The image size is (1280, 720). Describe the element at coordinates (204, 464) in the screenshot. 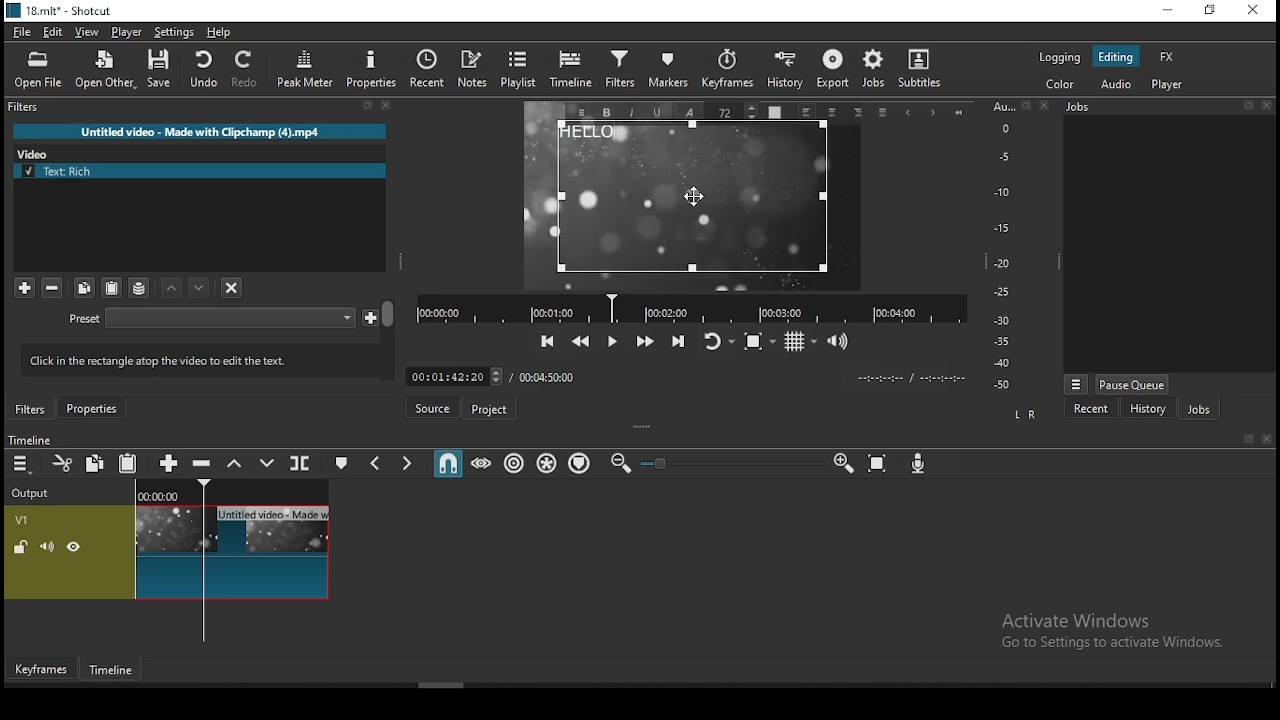

I see `ripple delete` at that location.